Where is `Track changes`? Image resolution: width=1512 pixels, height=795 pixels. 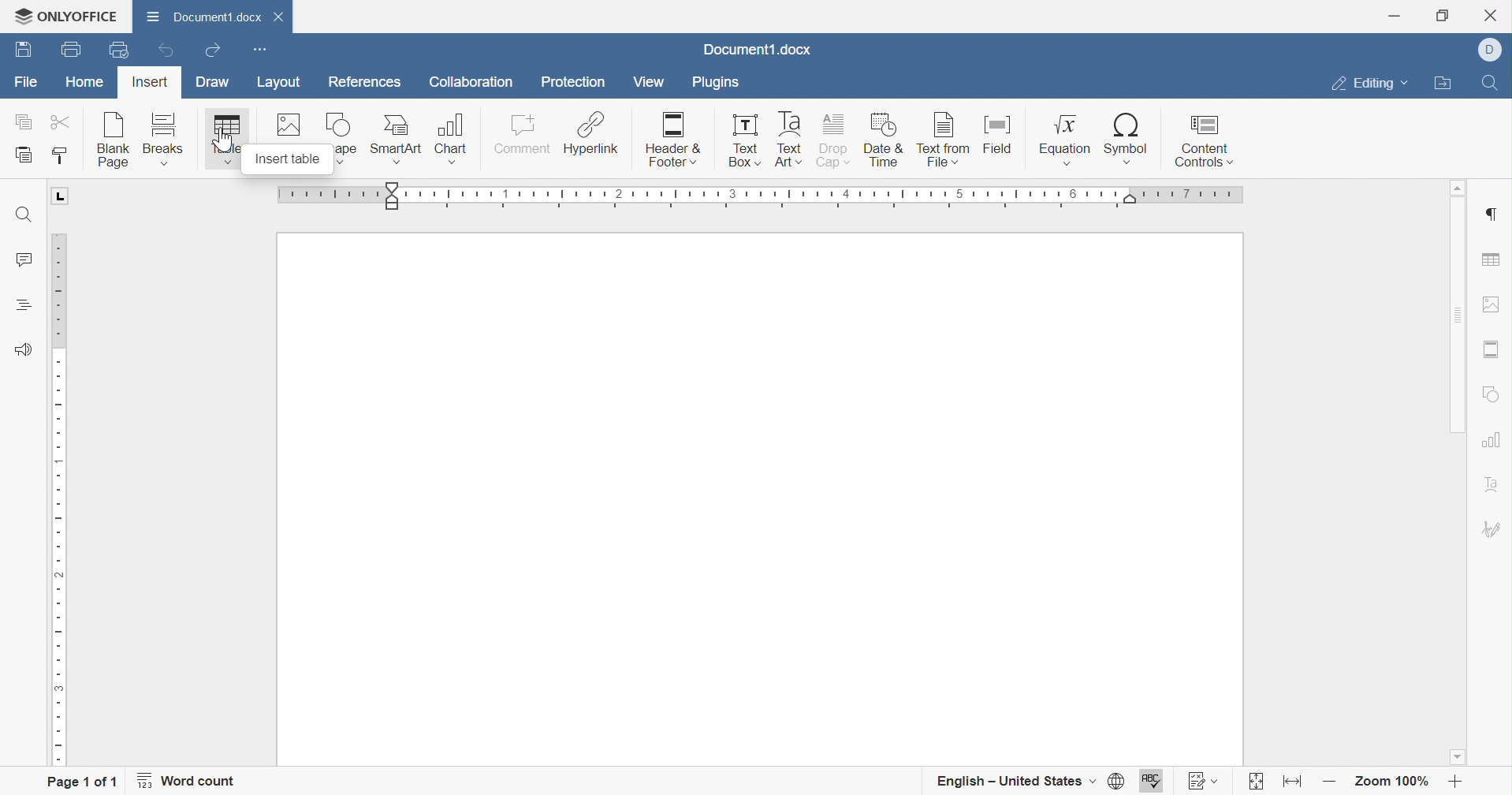 Track changes is located at coordinates (1205, 780).